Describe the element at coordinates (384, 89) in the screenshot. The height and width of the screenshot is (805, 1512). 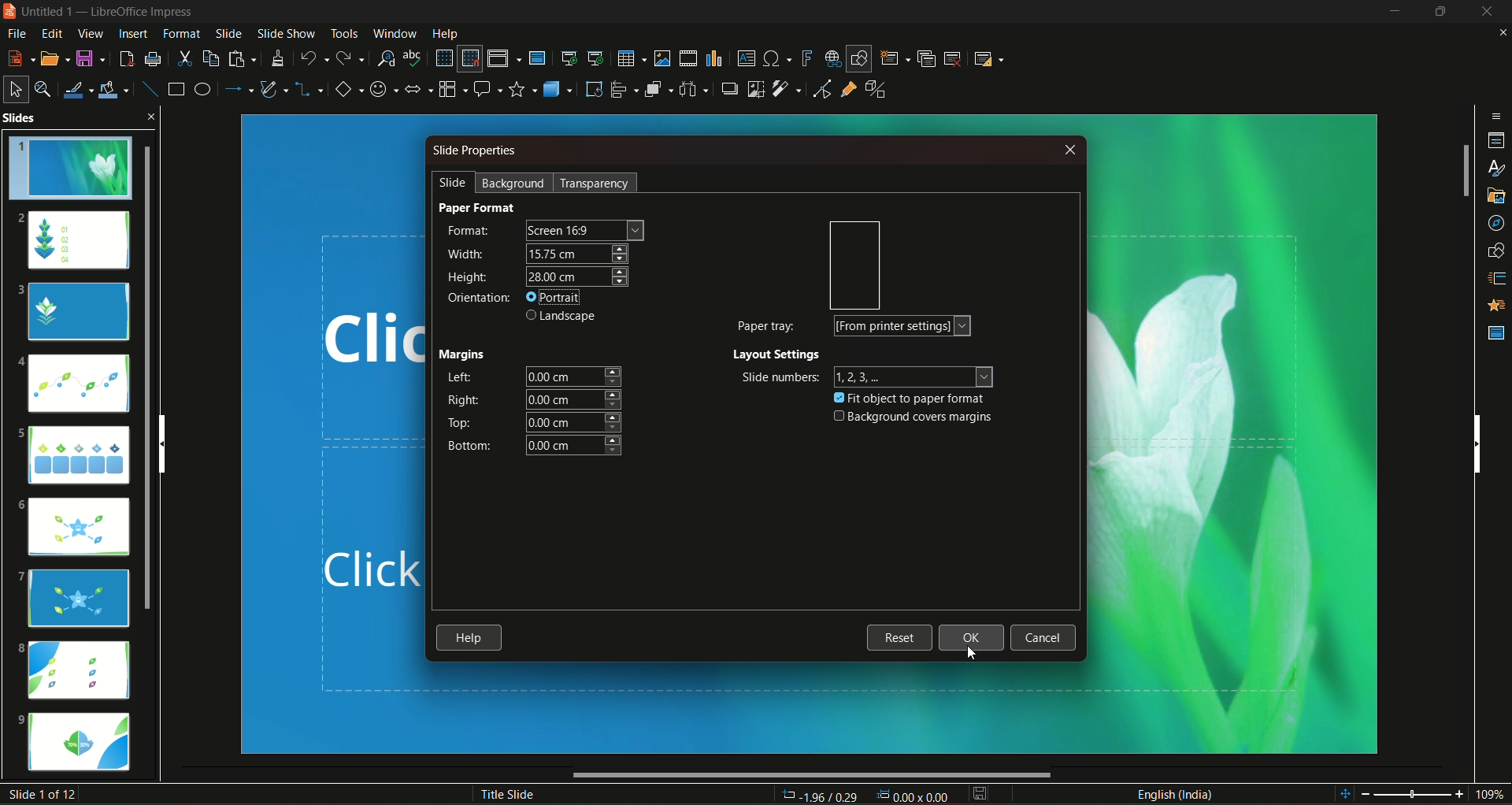
I see `symbol shapes` at that location.